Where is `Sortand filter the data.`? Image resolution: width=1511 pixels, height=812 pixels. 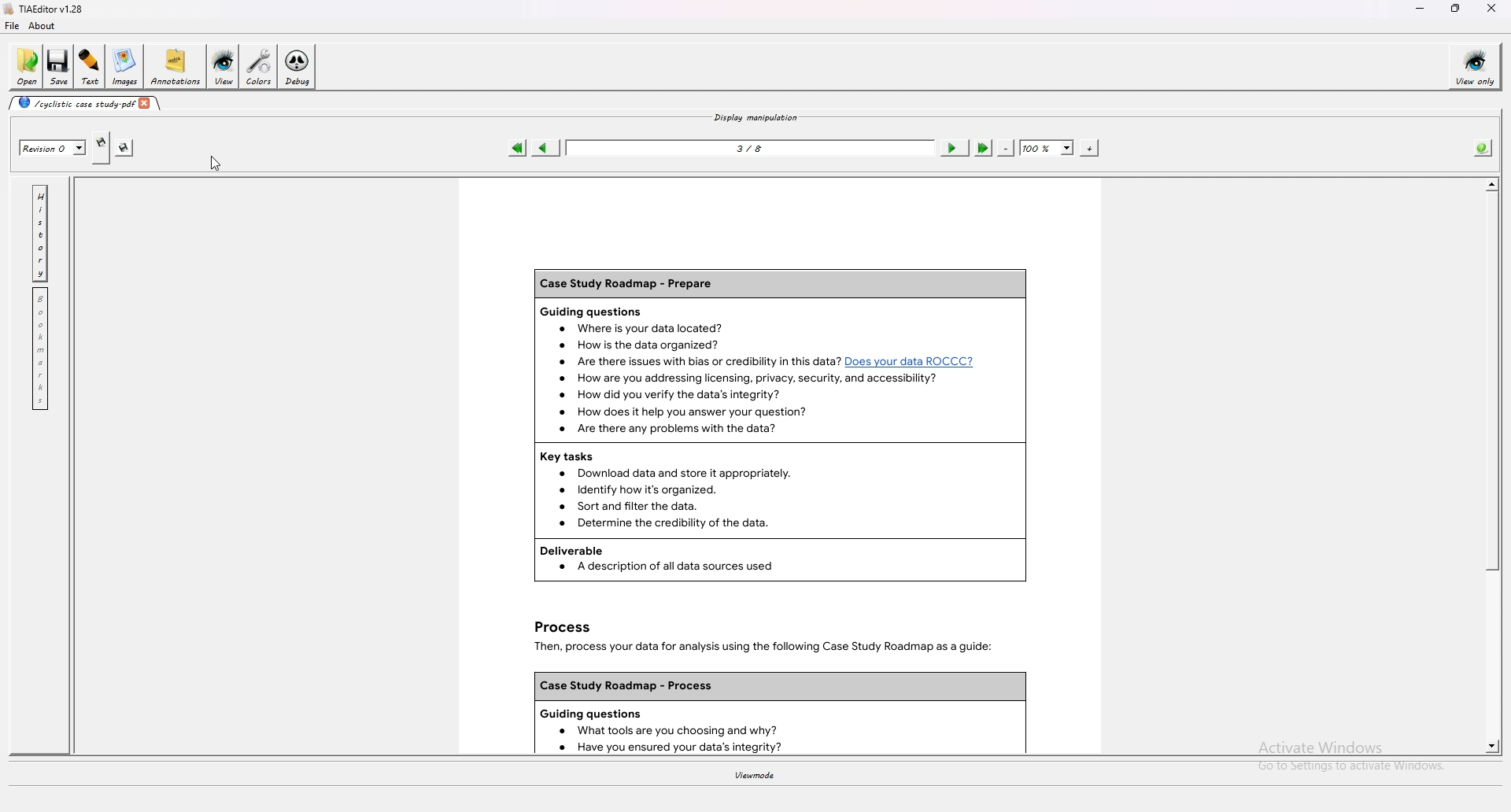 Sortand filter the data. is located at coordinates (640, 507).